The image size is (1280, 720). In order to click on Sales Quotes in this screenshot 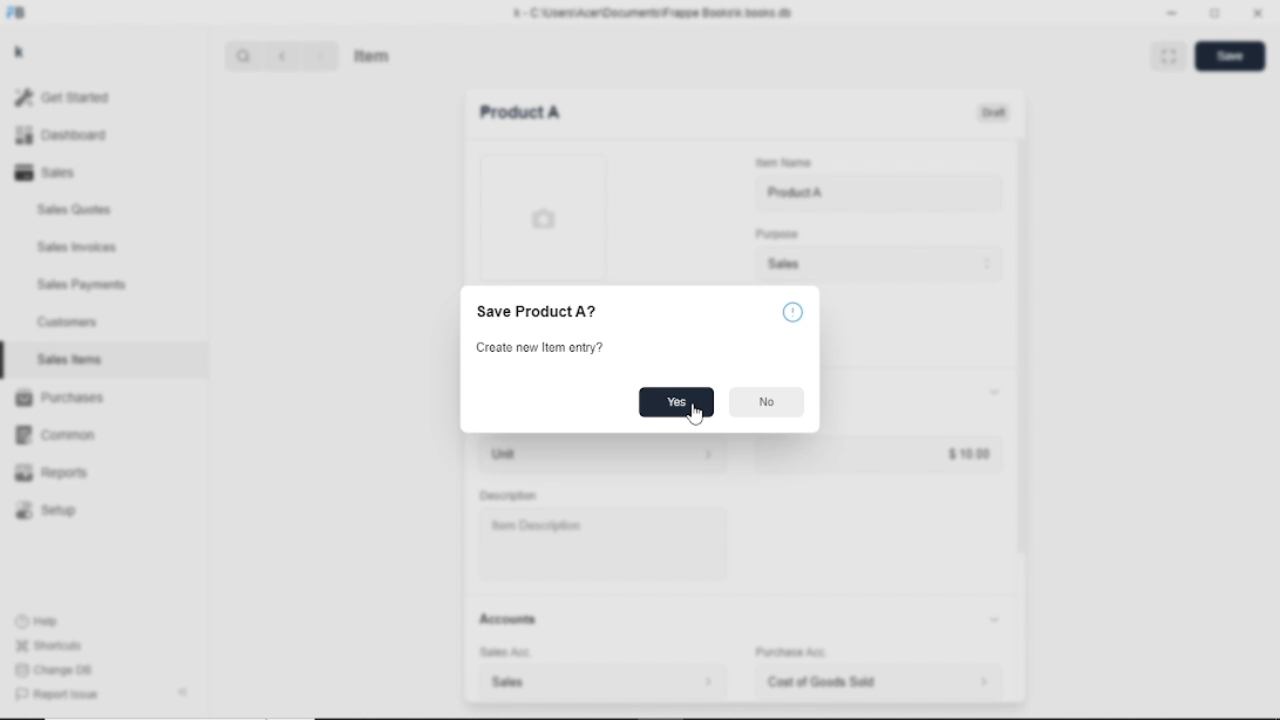, I will do `click(76, 210)`.